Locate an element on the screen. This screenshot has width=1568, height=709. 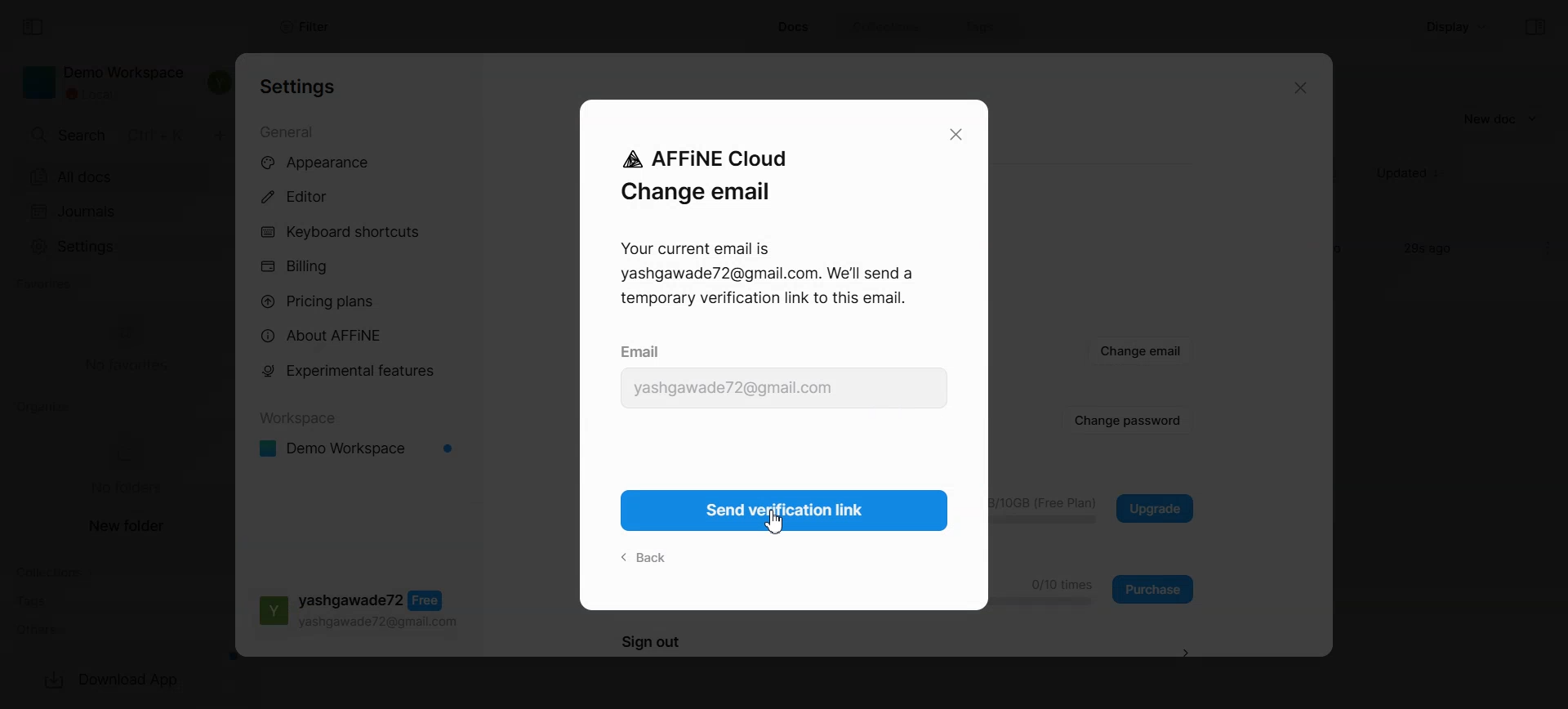
Affine cloud storage upgrade is located at coordinates (1155, 507).